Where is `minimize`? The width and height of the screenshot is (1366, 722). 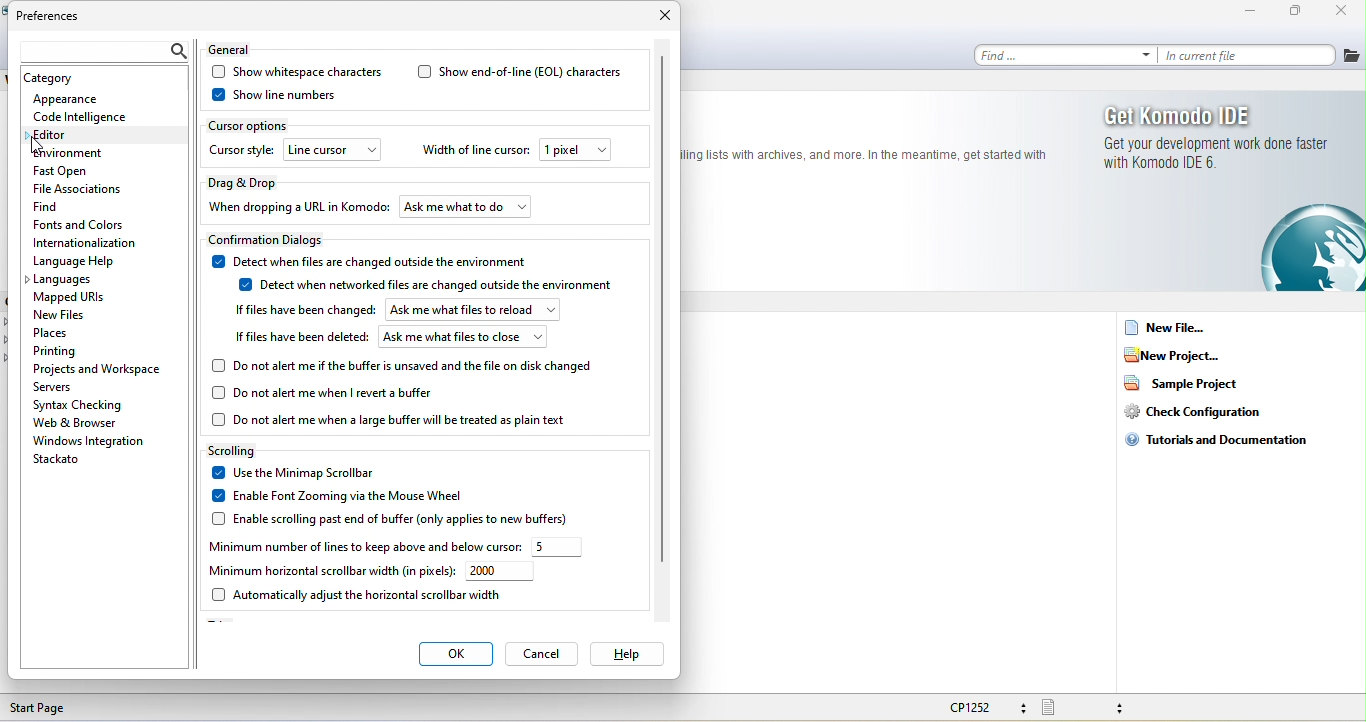 minimize is located at coordinates (1250, 12).